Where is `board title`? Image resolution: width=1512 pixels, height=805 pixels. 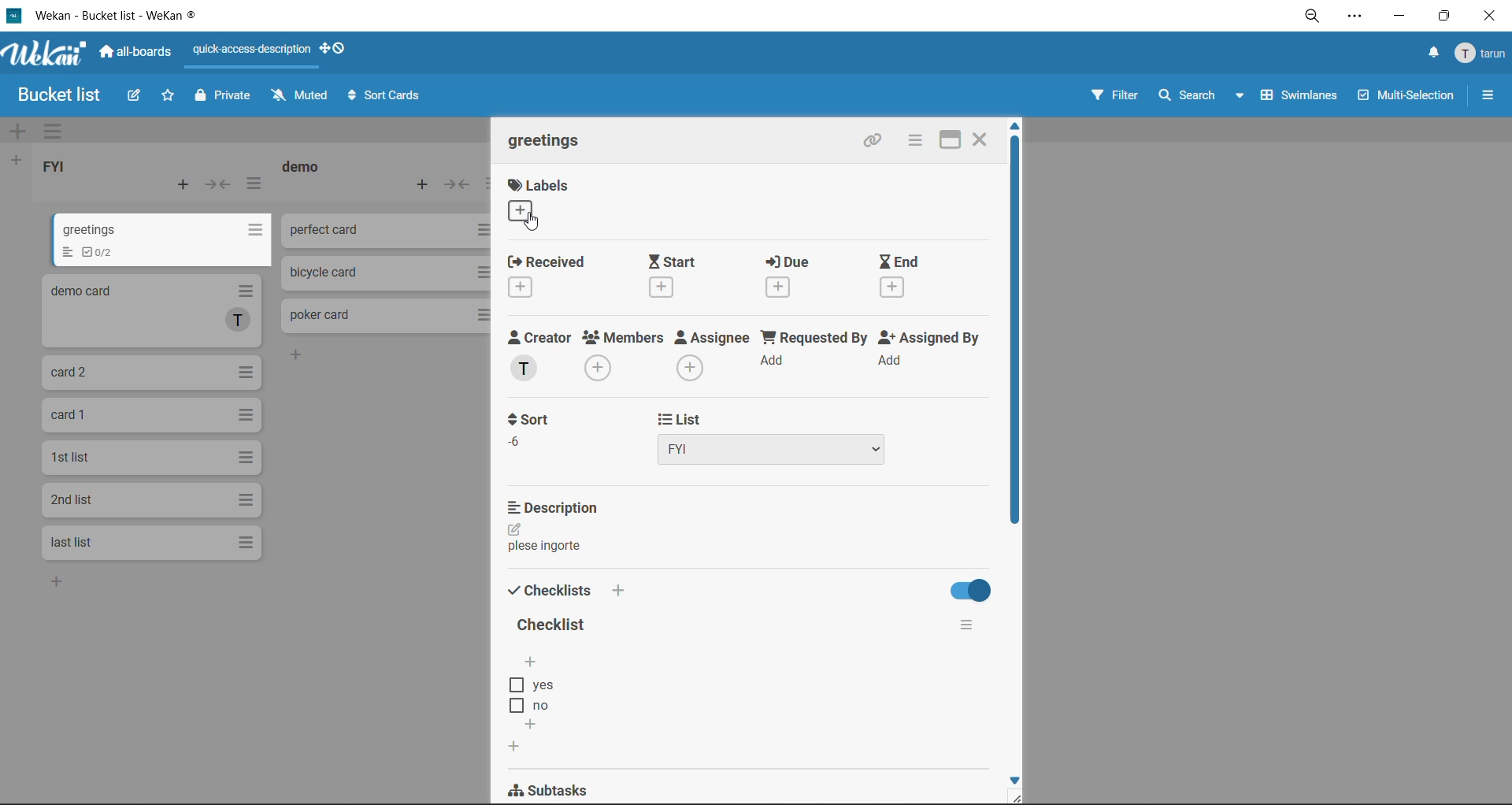
board title is located at coordinates (51, 95).